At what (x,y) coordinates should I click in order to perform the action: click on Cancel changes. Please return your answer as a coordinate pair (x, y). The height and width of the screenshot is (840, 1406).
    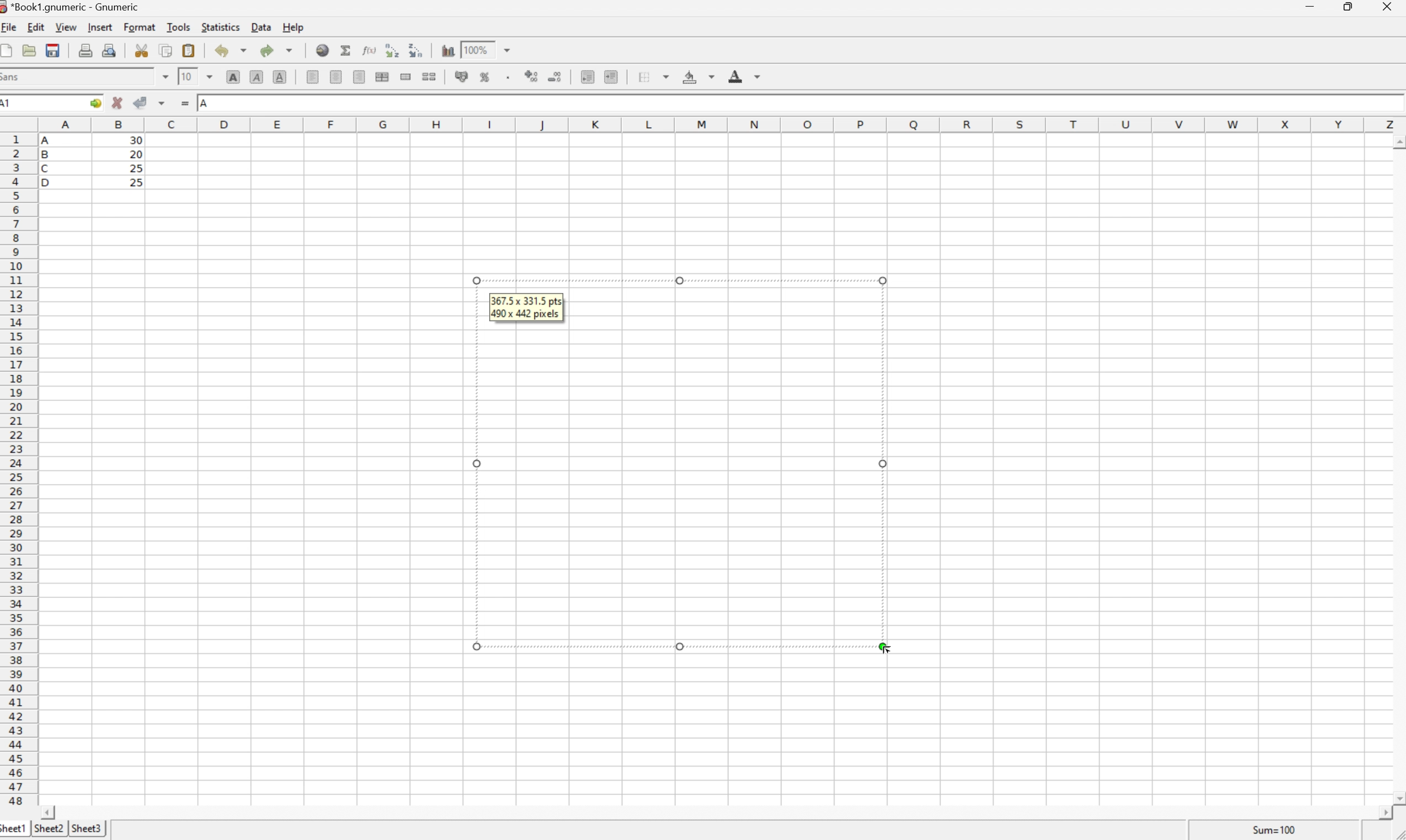
    Looking at the image, I should click on (117, 102).